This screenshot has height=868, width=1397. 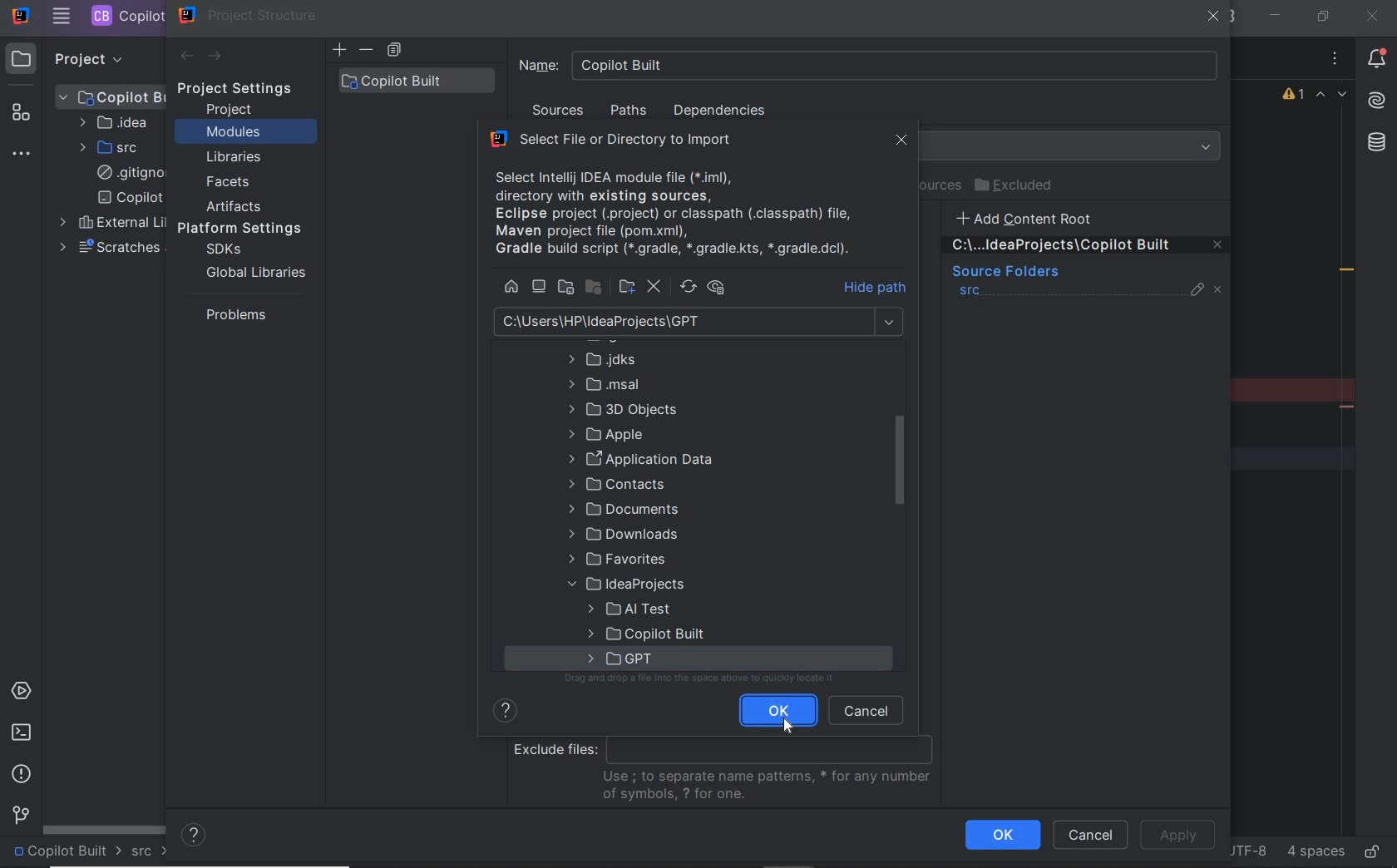 I want to click on exclude files, so click(x=728, y=771).